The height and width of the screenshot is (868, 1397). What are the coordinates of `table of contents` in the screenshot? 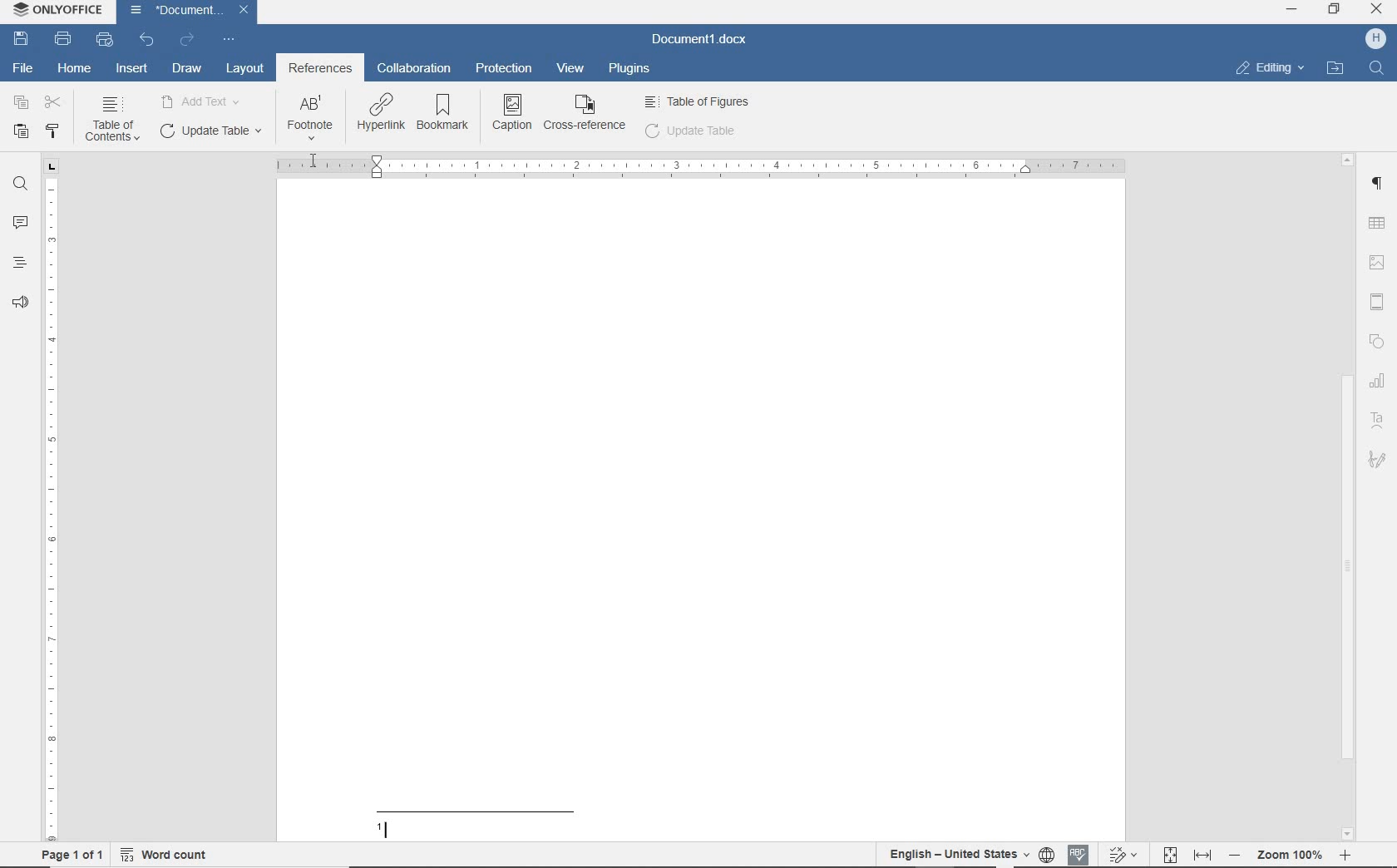 It's located at (111, 121).